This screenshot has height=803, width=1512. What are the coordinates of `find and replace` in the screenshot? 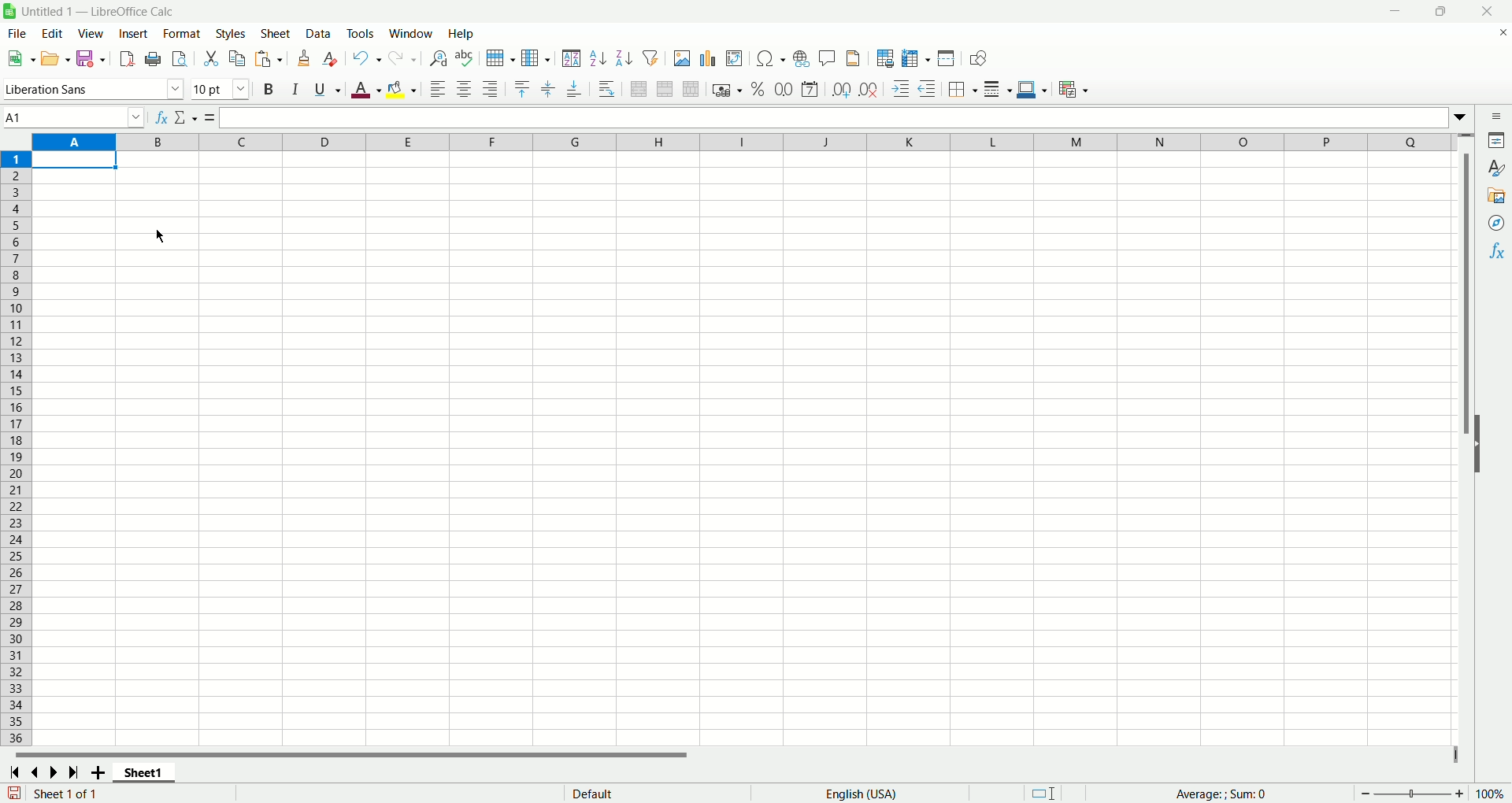 It's located at (436, 59).